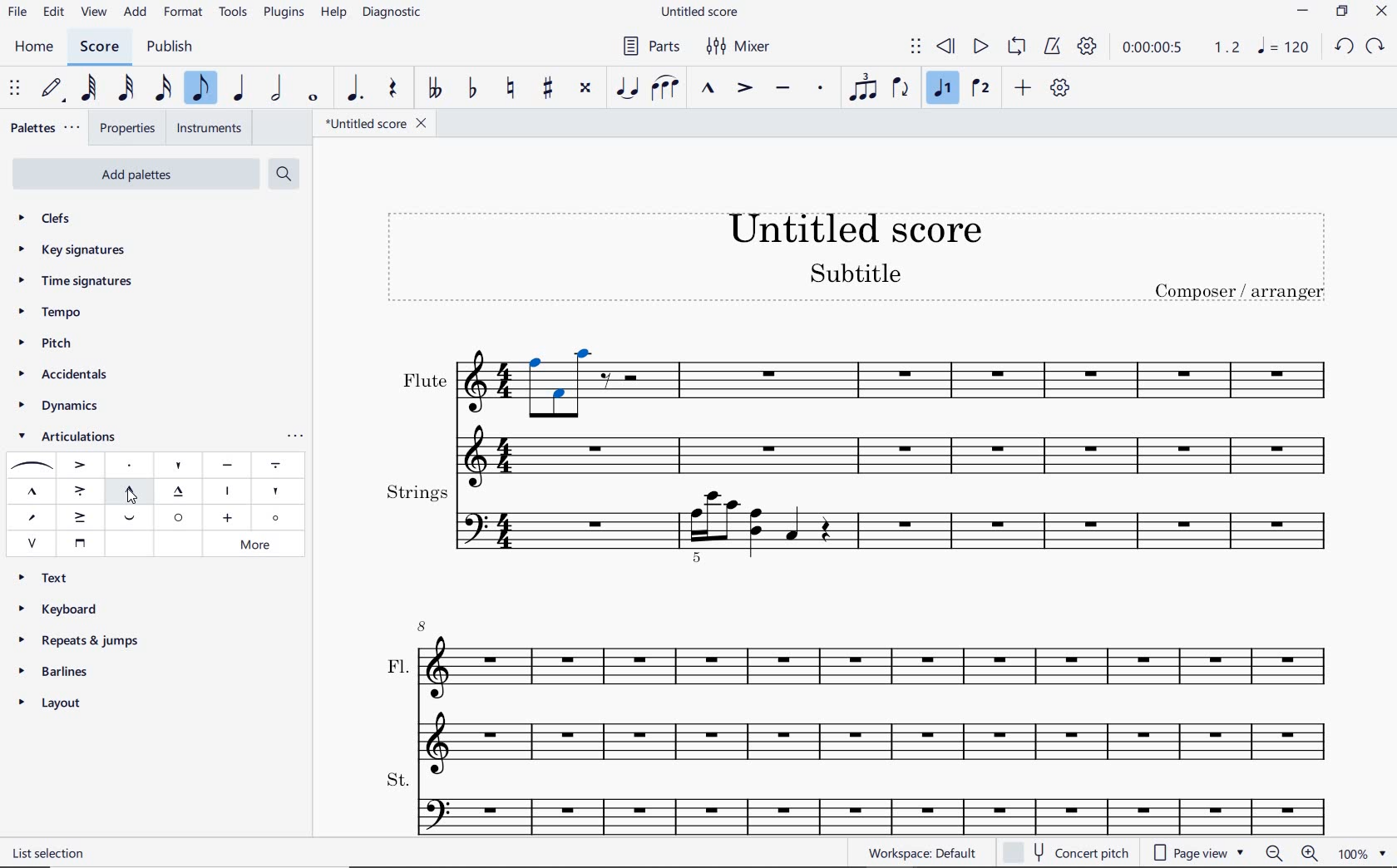 This screenshot has width=1397, height=868. I want to click on SLUR, so click(665, 89).